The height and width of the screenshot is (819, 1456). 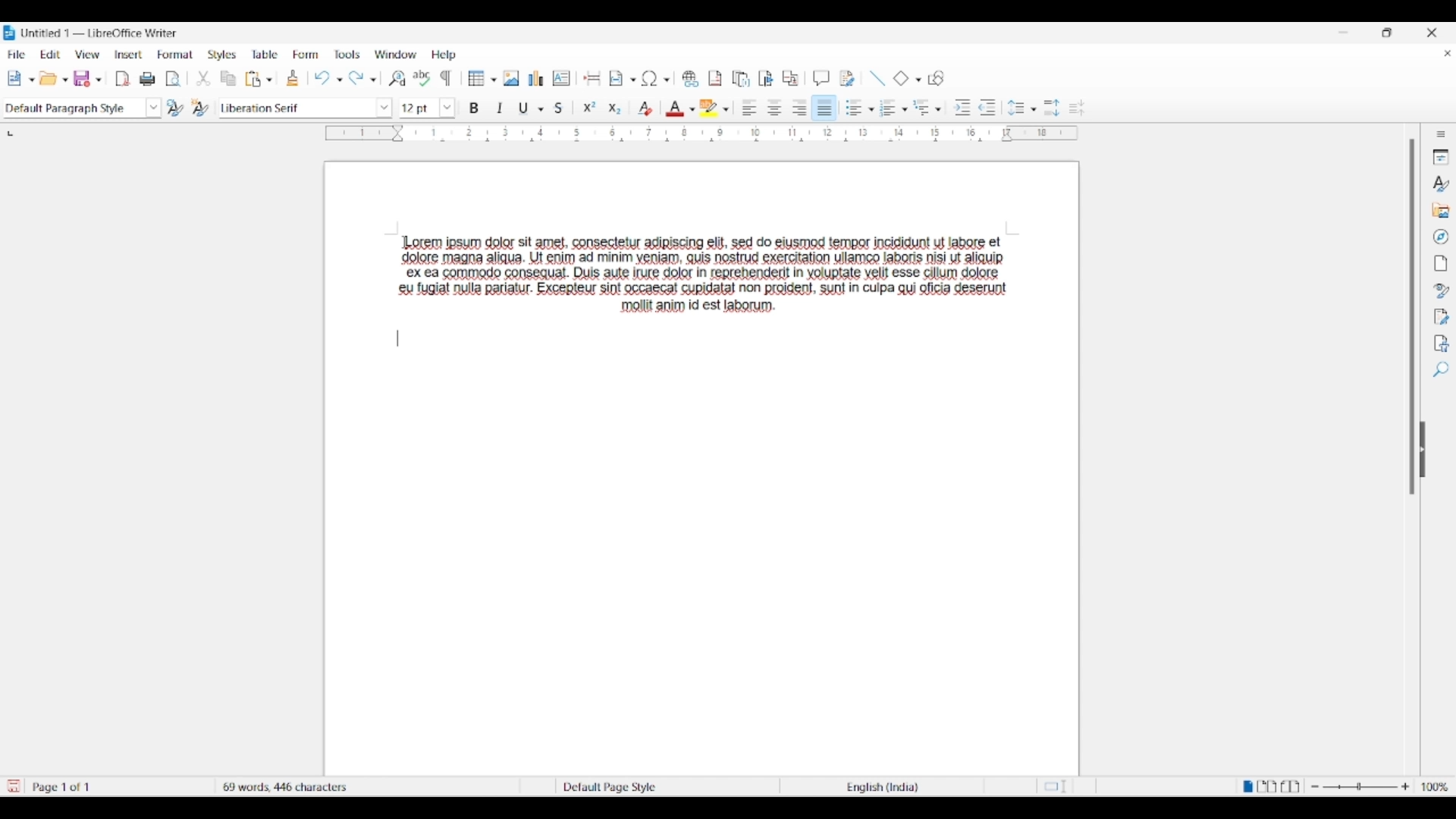 I want to click on Insert, so click(x=129, y=54).